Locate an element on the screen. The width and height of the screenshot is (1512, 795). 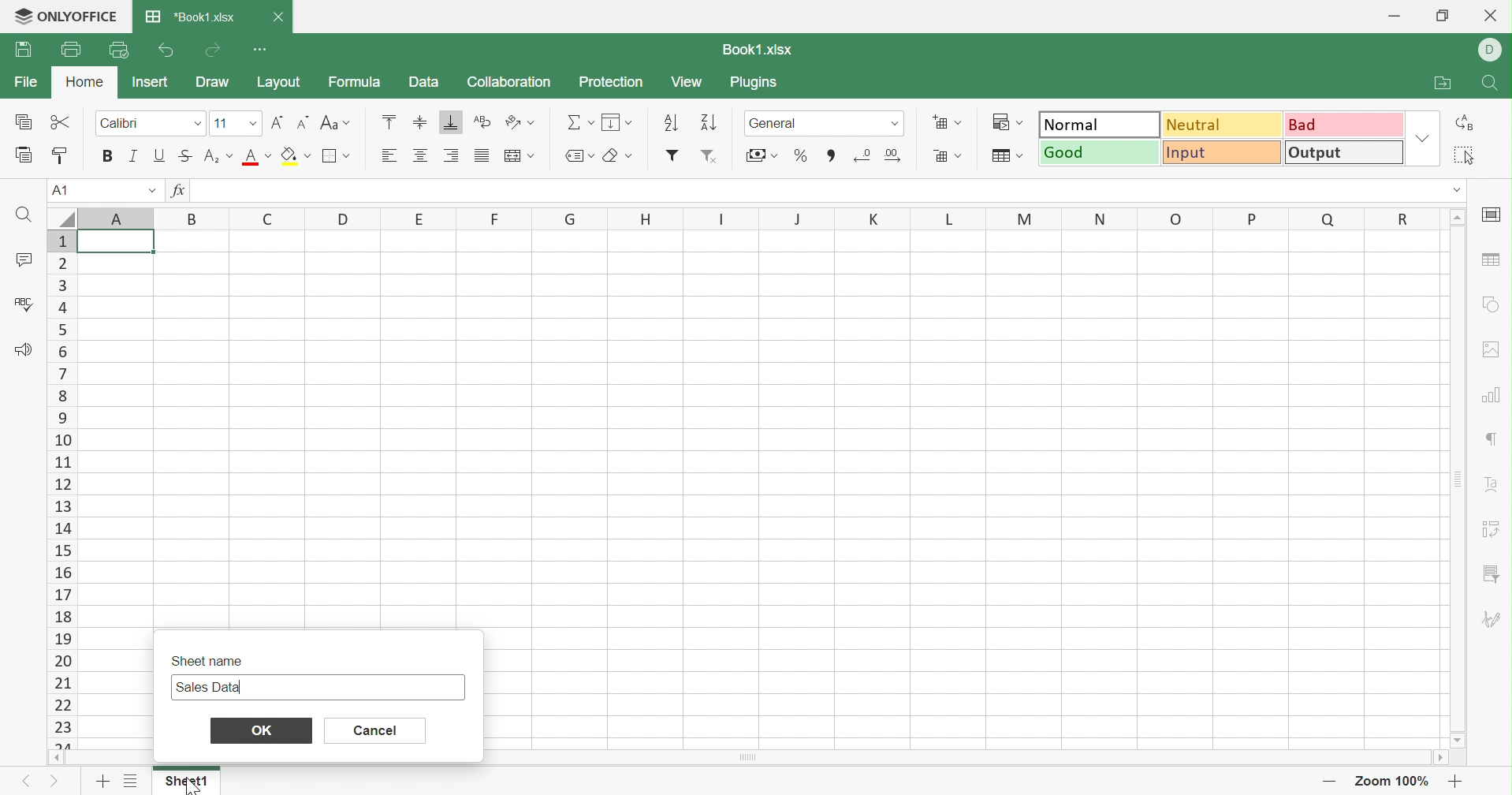
D is located at coordinates (1489, 49).